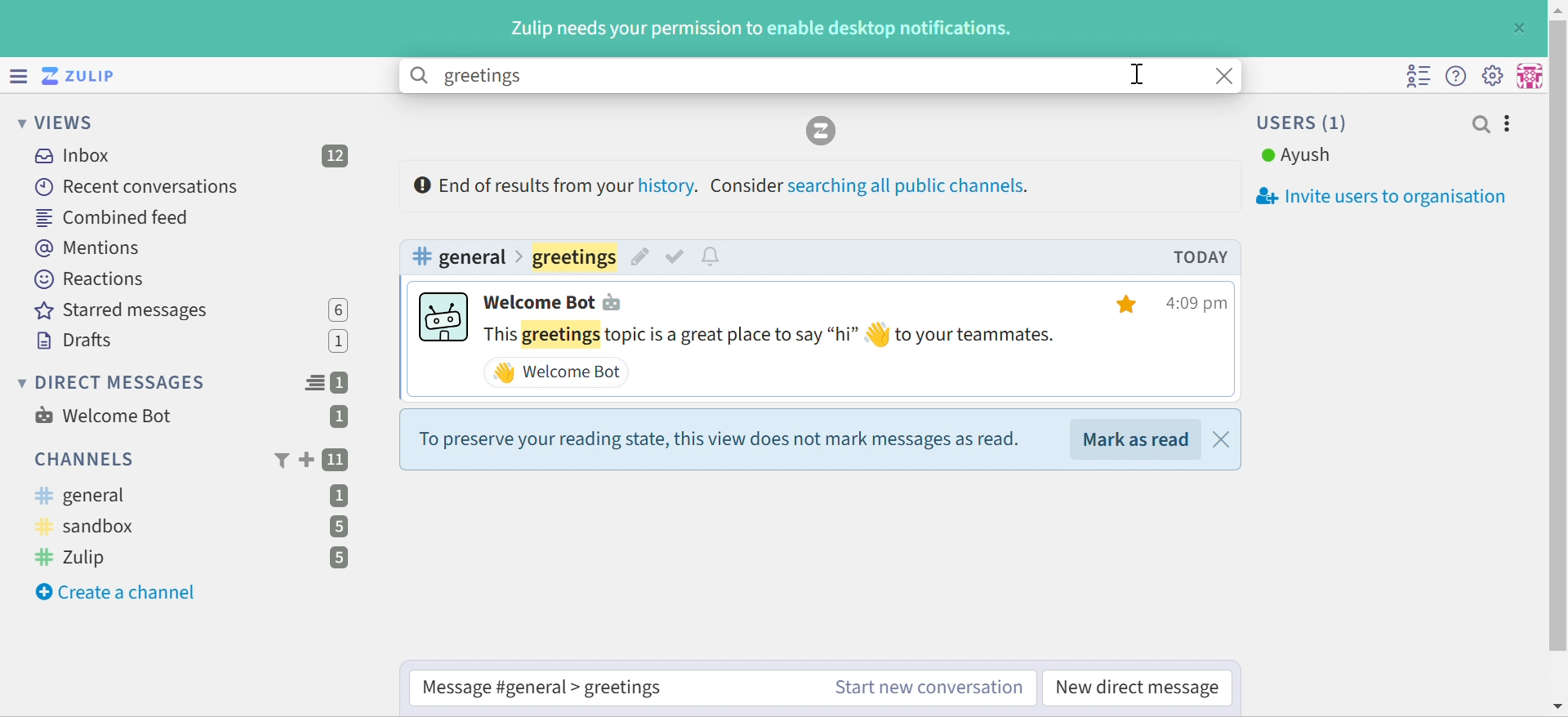  What do you see at coordinates (338, 310) in the screenshot?
I see `6` at bounding box center [338, 310].